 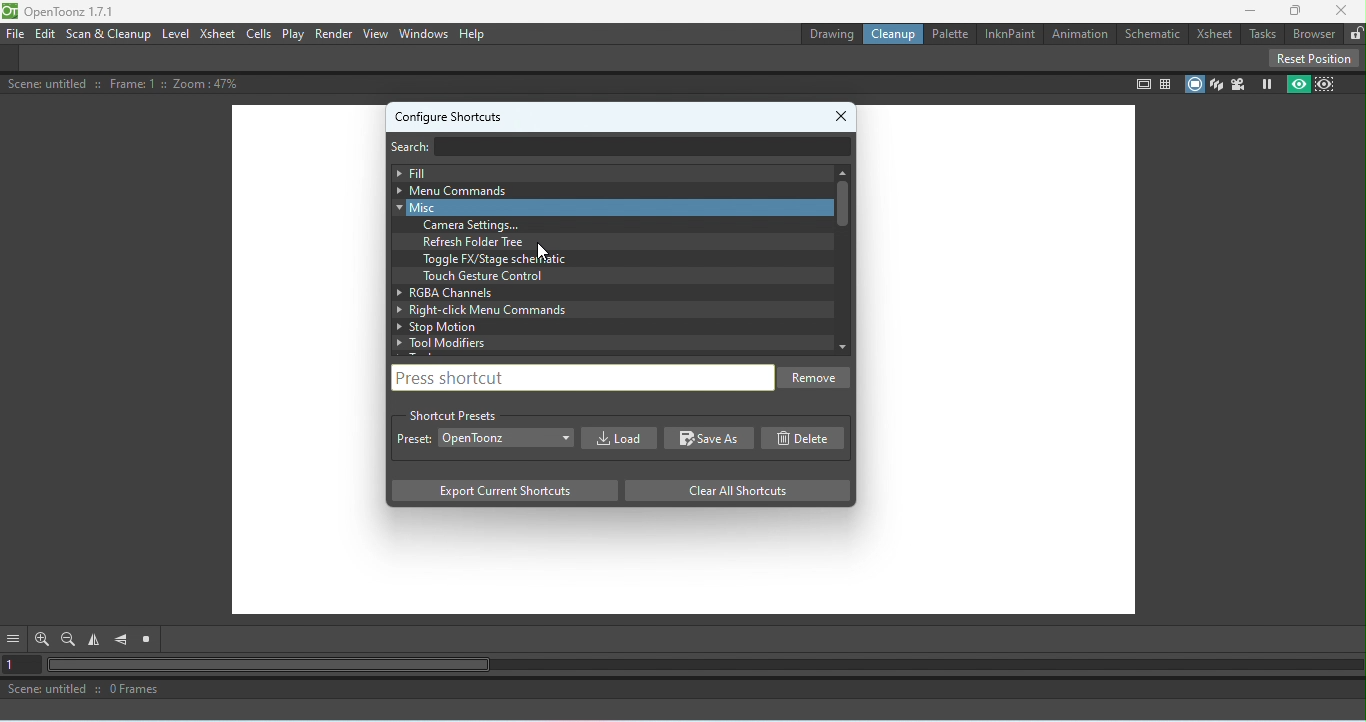 I want to click on Safe area, so click(x=1141, y=85).